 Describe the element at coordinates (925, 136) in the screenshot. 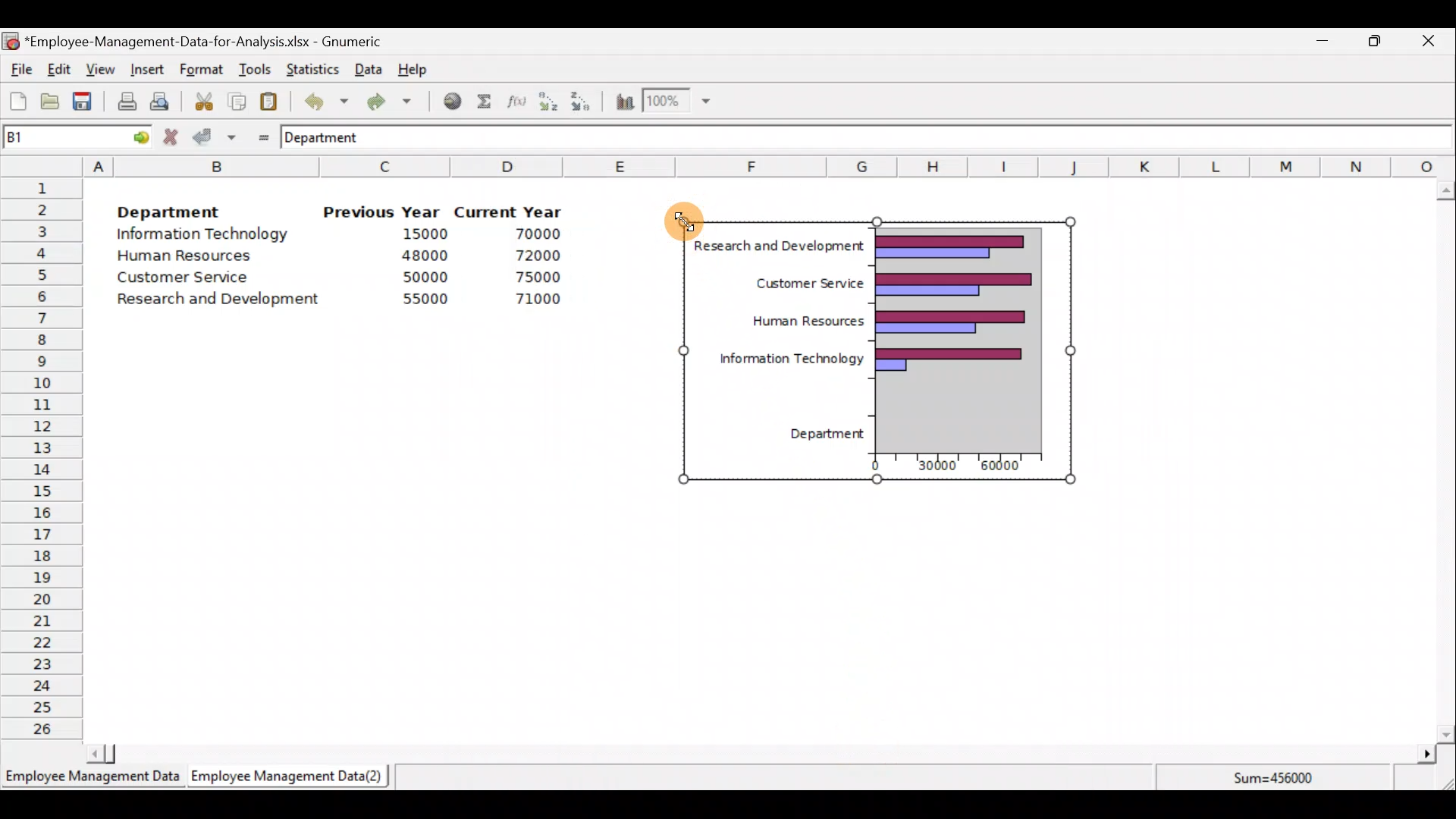

I see `Formula bar` at that location.